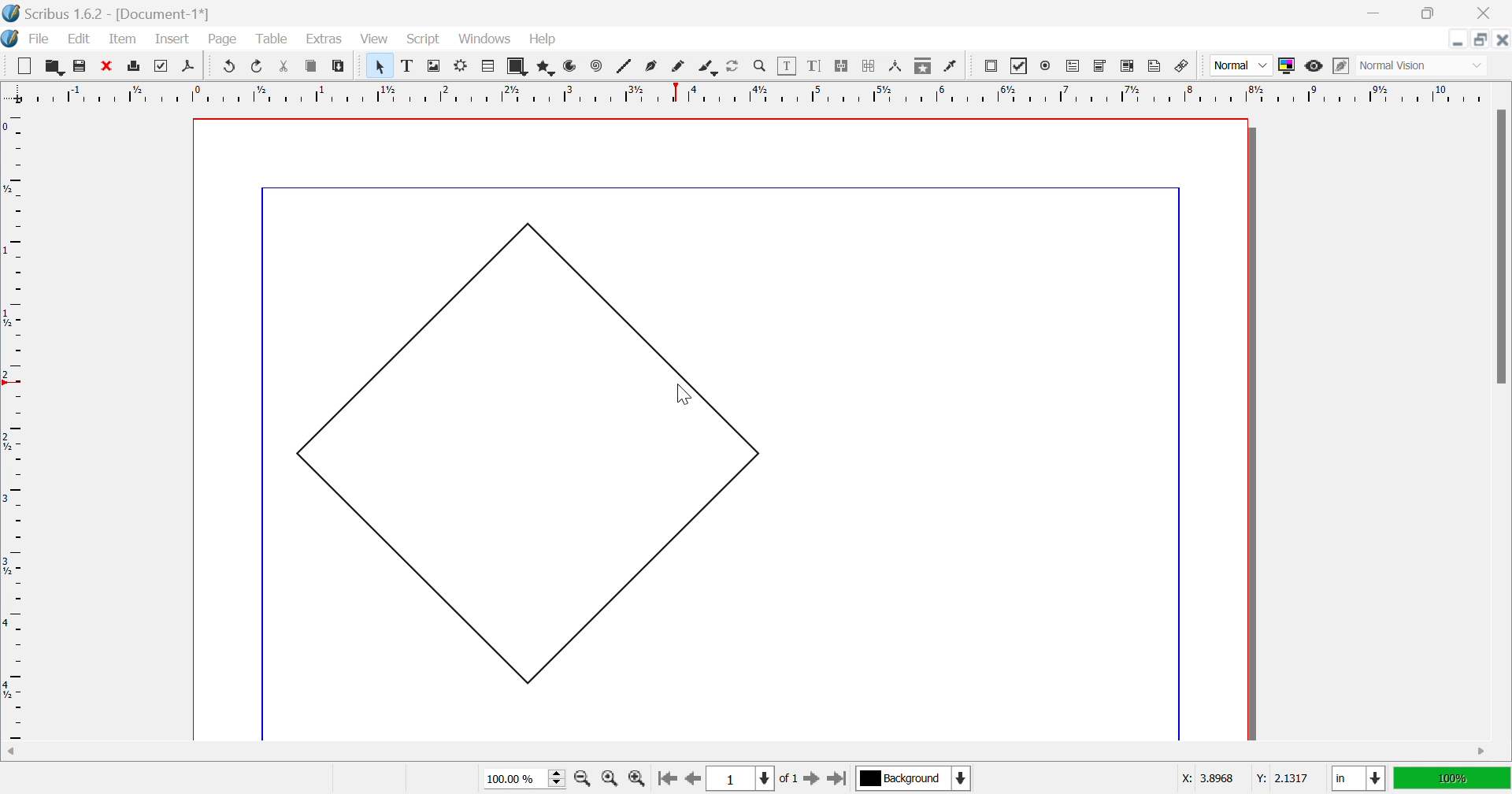 The width and height of the screenshot is (1512, 794). What do you see at coordinates (105, 64) in the screenshot?
I see `Close` at bounding box center [105, 64].